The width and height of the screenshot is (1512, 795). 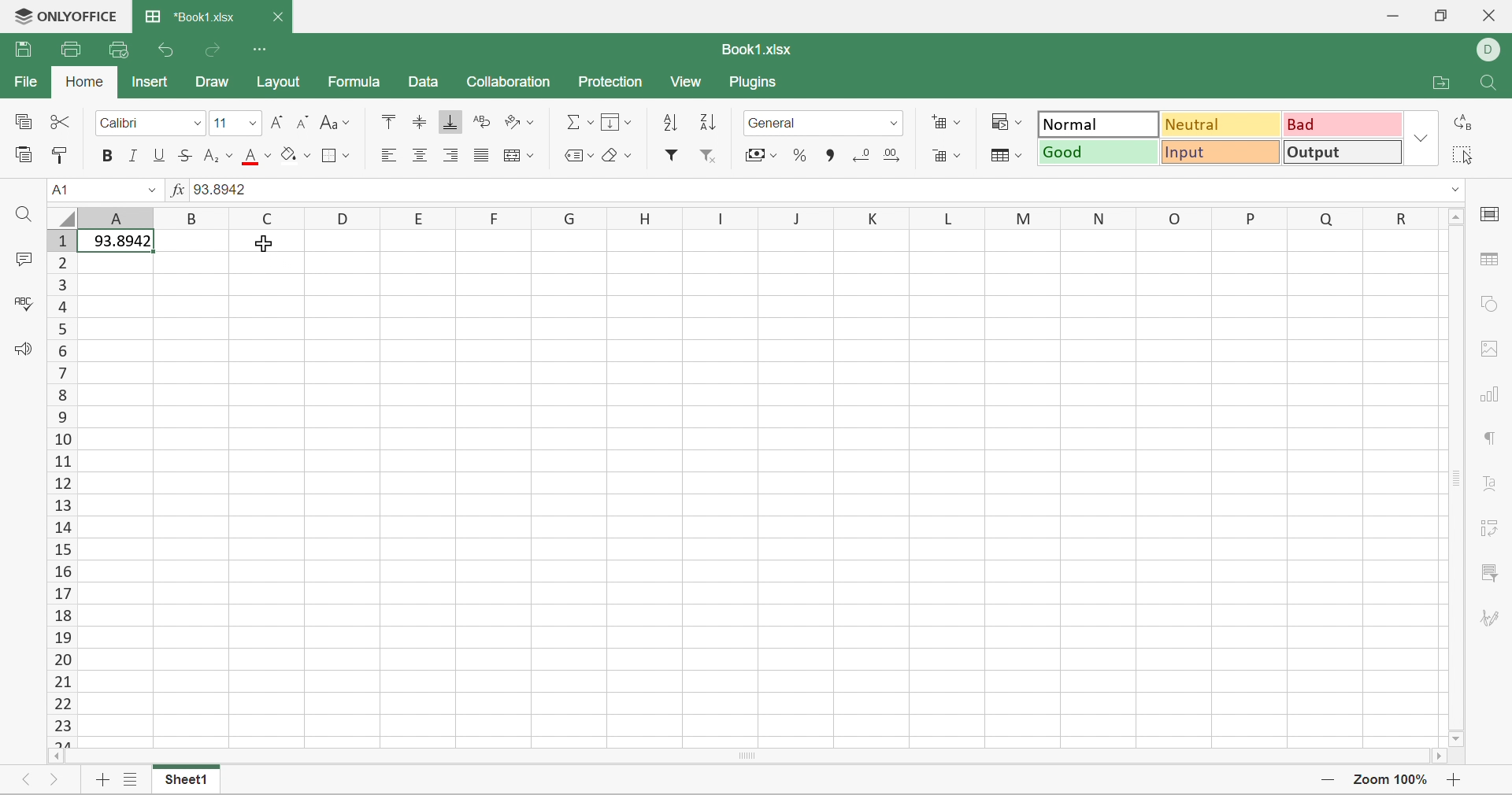 What do you see at coordinates (62, 189) in the screenshot?
I see `A1` at bounding box center [62, 189].